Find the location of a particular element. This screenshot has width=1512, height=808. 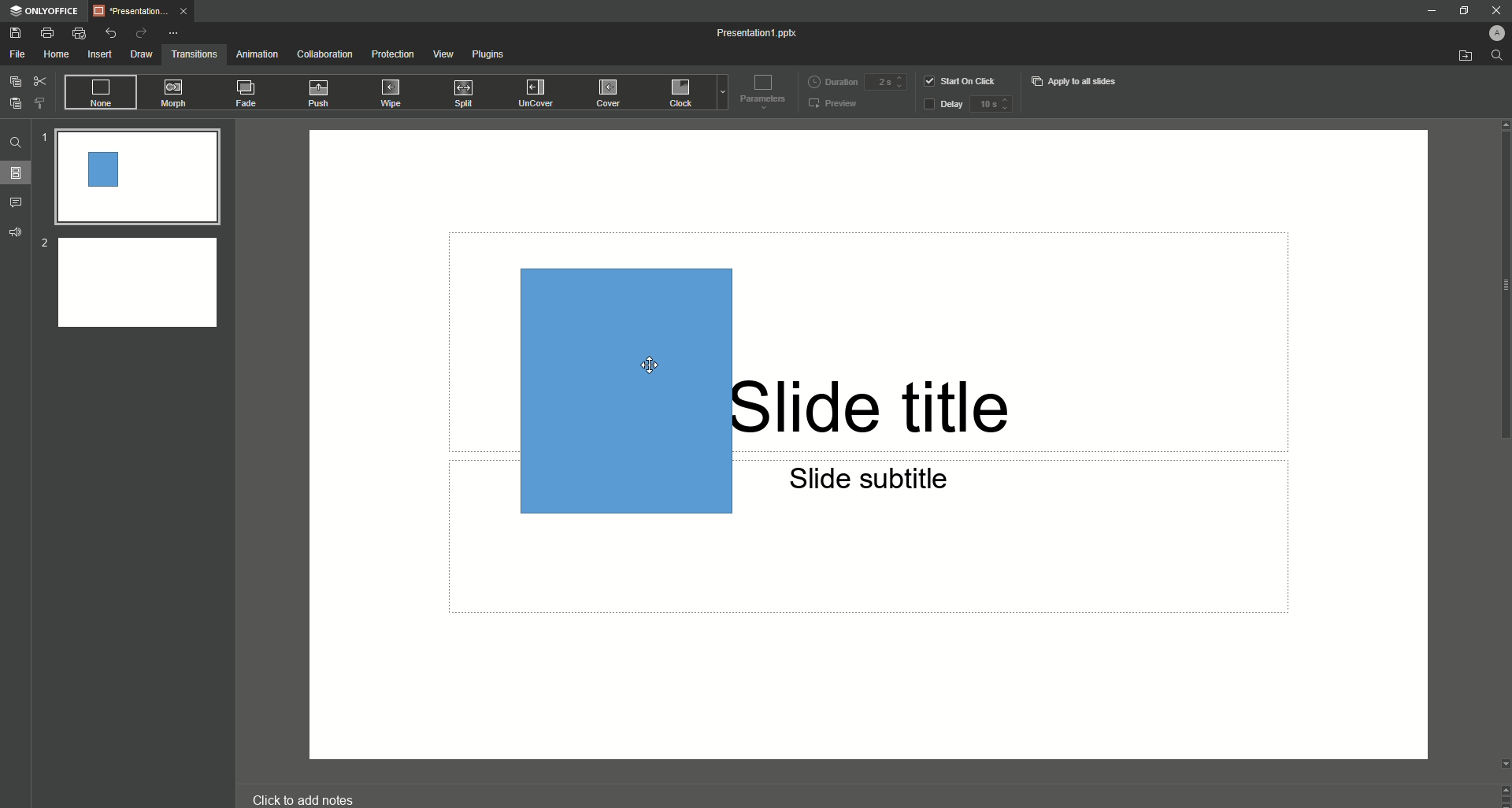

Cursor is located at coordinates (654, 363).